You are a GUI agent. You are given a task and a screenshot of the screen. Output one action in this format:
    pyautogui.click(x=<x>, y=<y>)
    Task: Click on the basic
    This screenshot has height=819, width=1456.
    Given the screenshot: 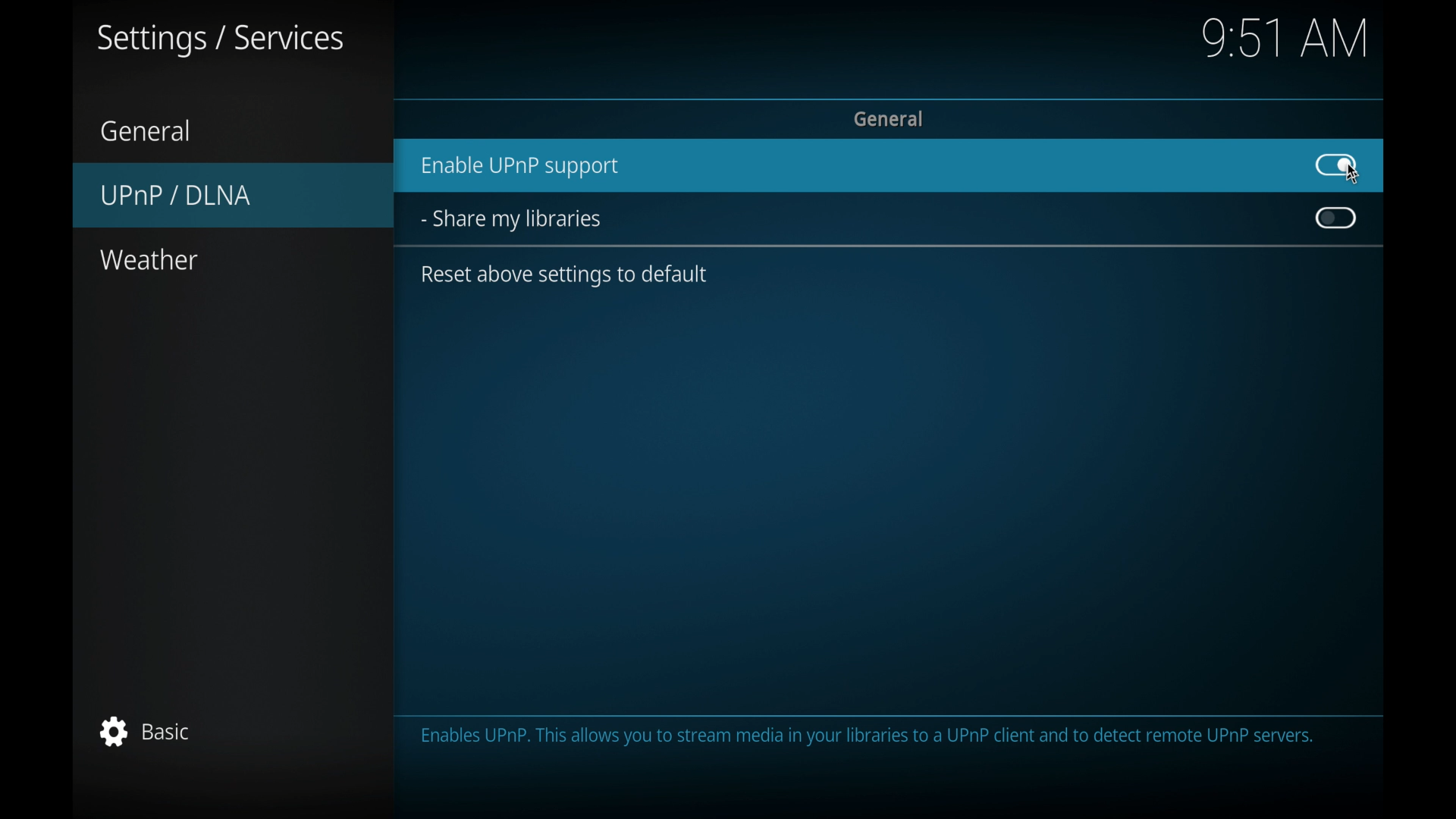 What is the action you would take?
    pyautogui.click(x=141, y=731)
    